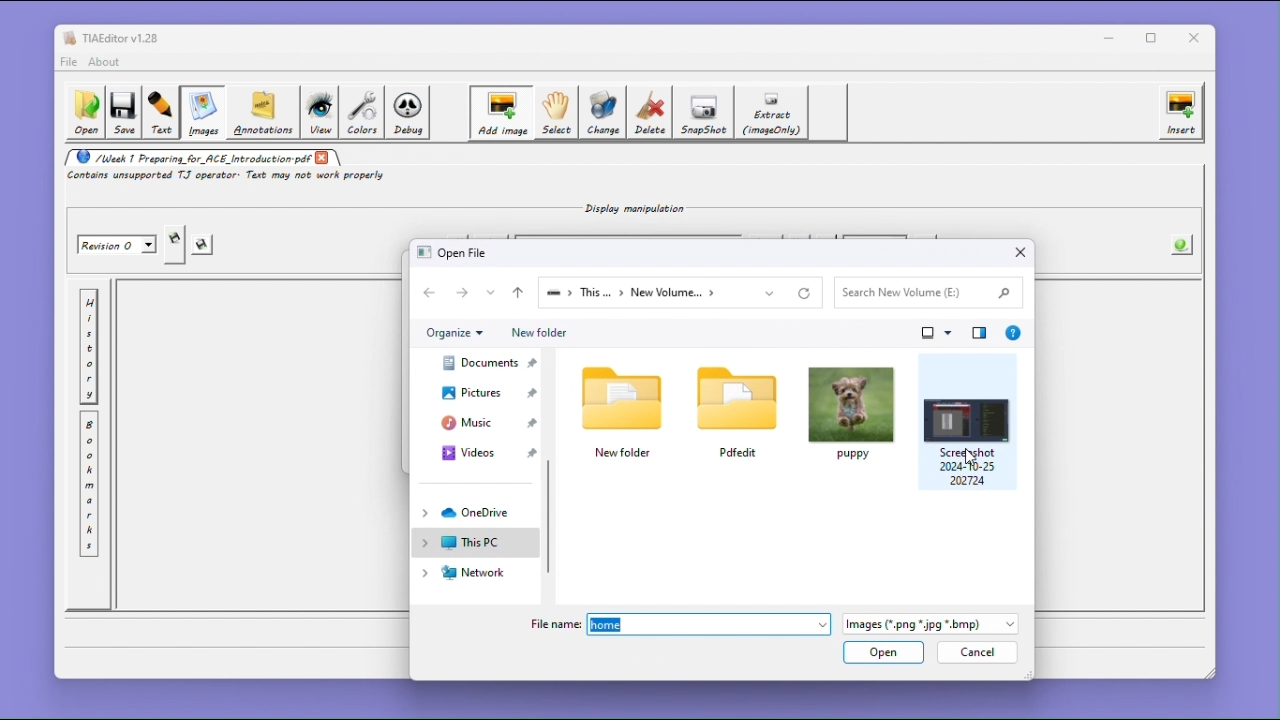 The height and width of the screenshot is (720, 1280). What do you see at coordinates (323, 157) in the screenshot?
I see `close` at bounding box center [323, 157].